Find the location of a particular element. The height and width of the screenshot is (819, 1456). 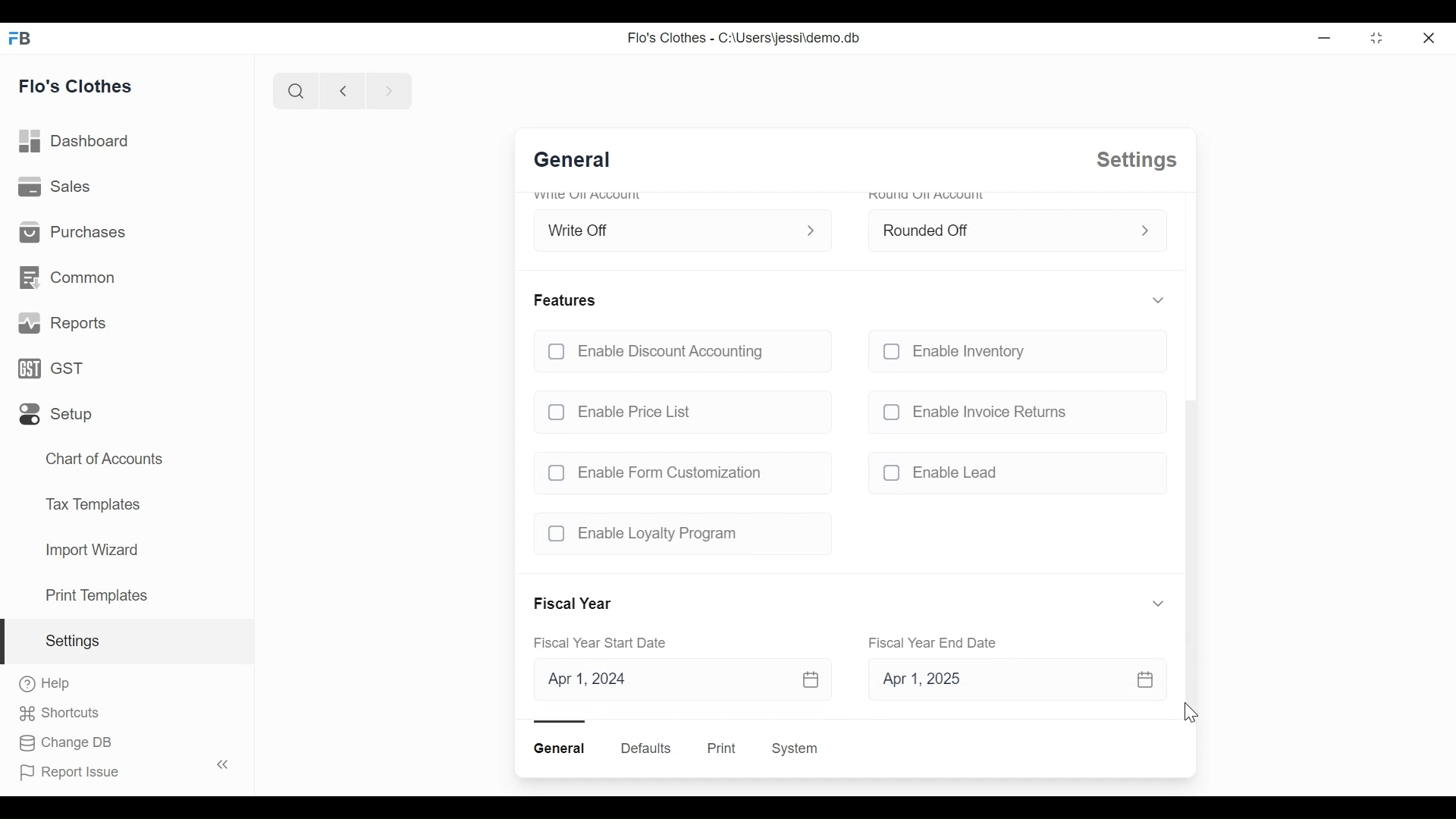

Help is located at coordinates (45, 685).